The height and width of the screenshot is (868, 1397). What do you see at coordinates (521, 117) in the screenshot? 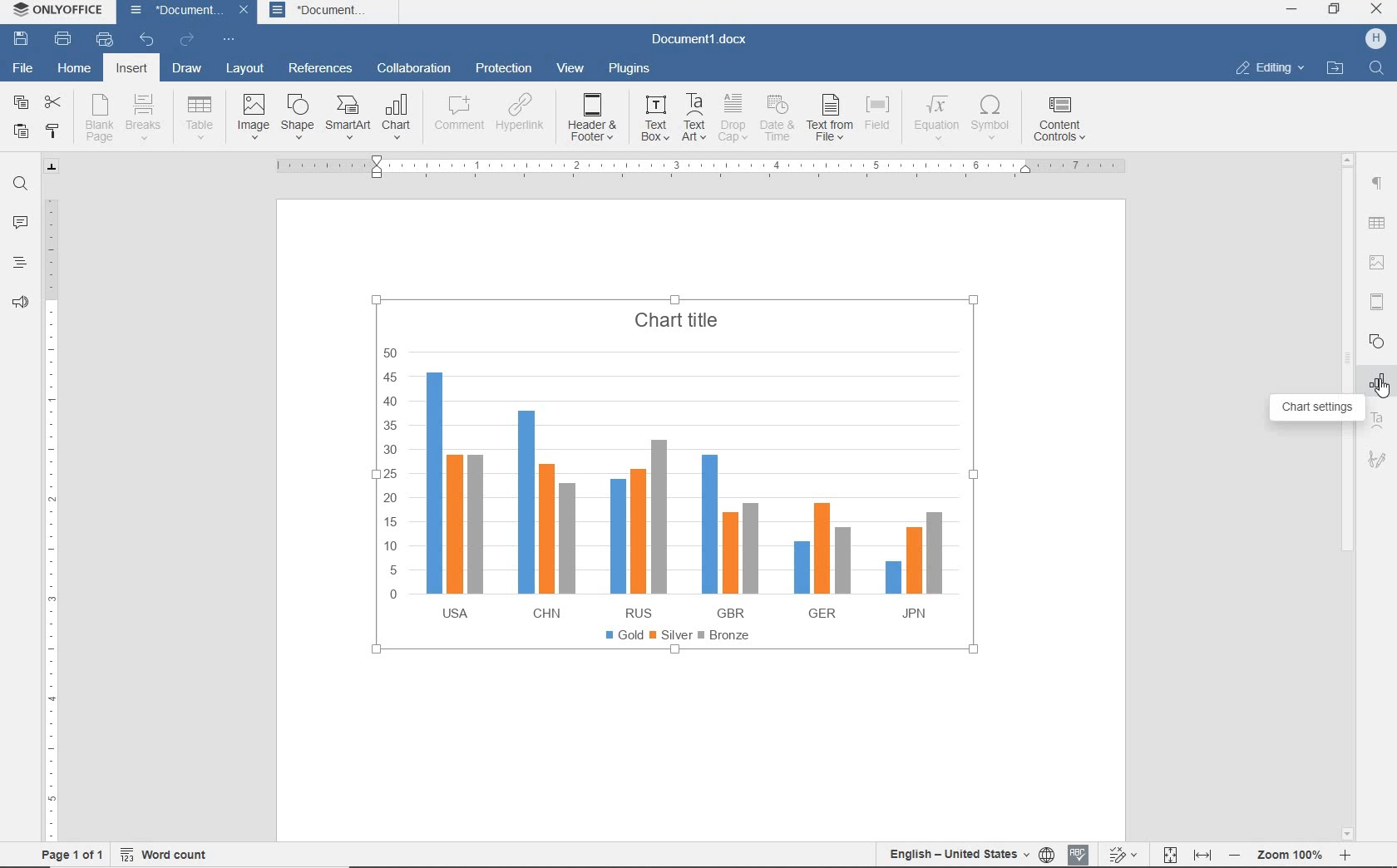
I see `hyperlink` at bounding box center [521, 117].